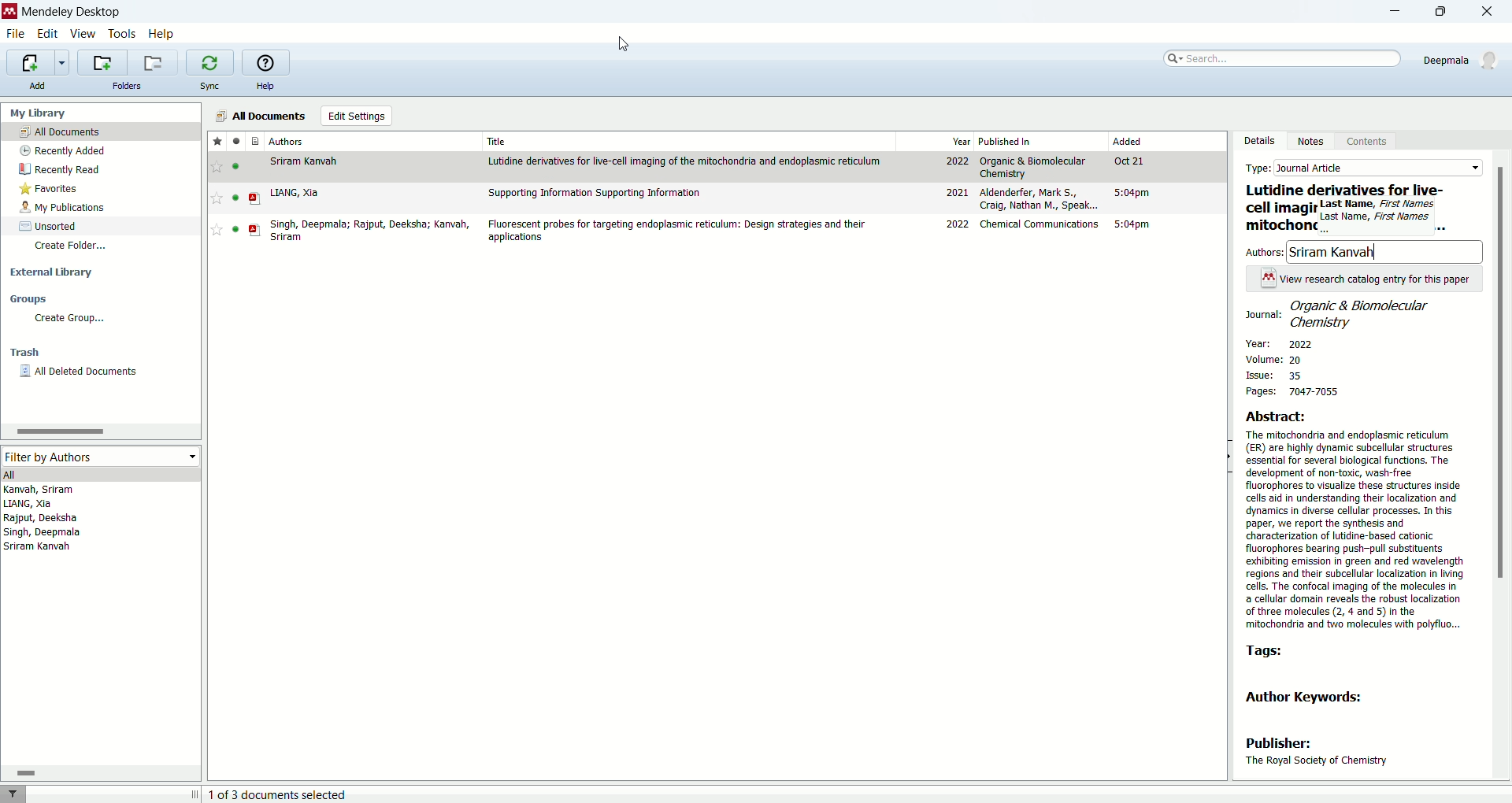 The height and width of the screenshot is (803, 1512). I want to click on added, so click(1142, 142).